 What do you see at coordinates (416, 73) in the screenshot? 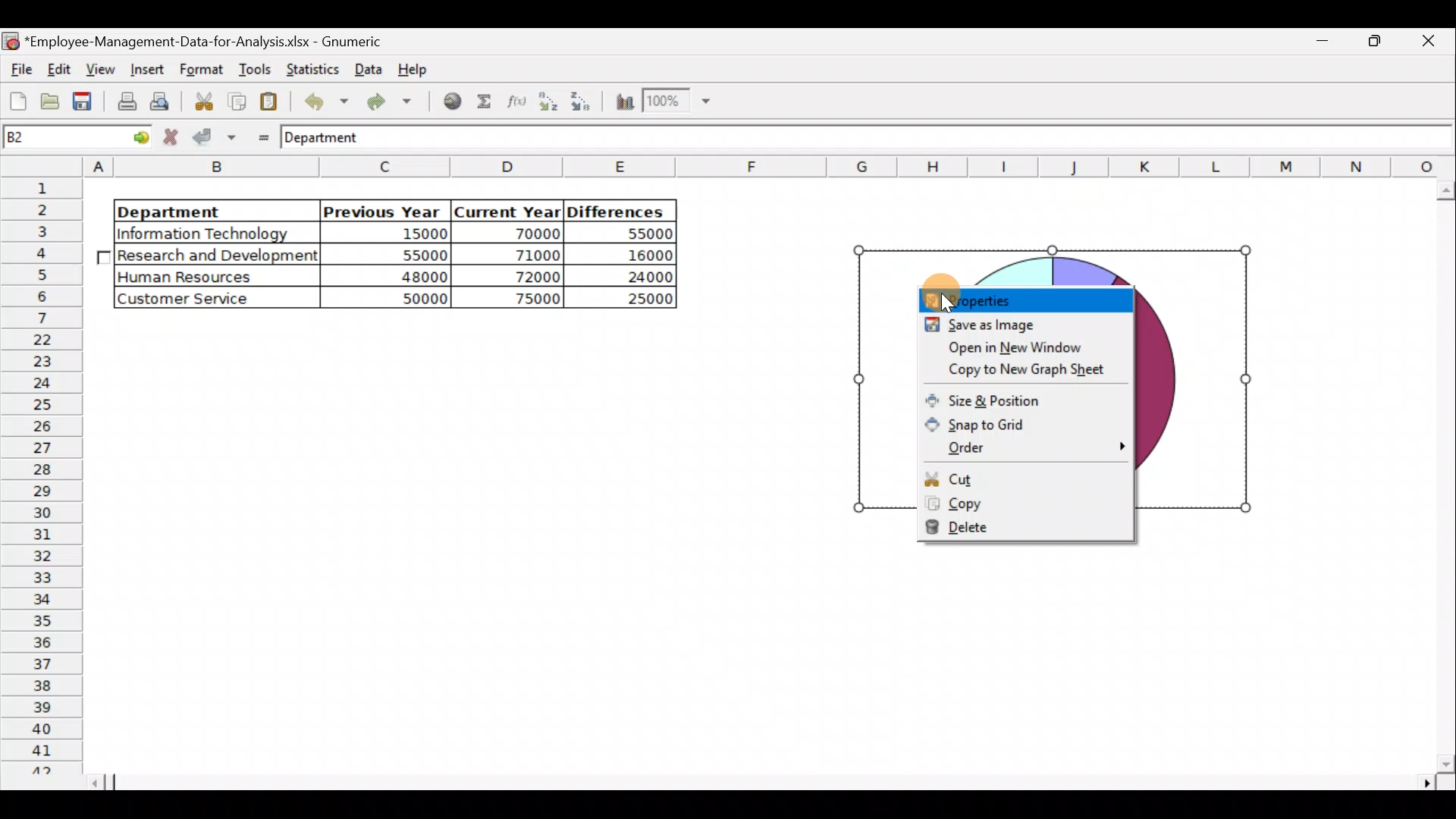
I see `Help` at bounding box center [416, 73].